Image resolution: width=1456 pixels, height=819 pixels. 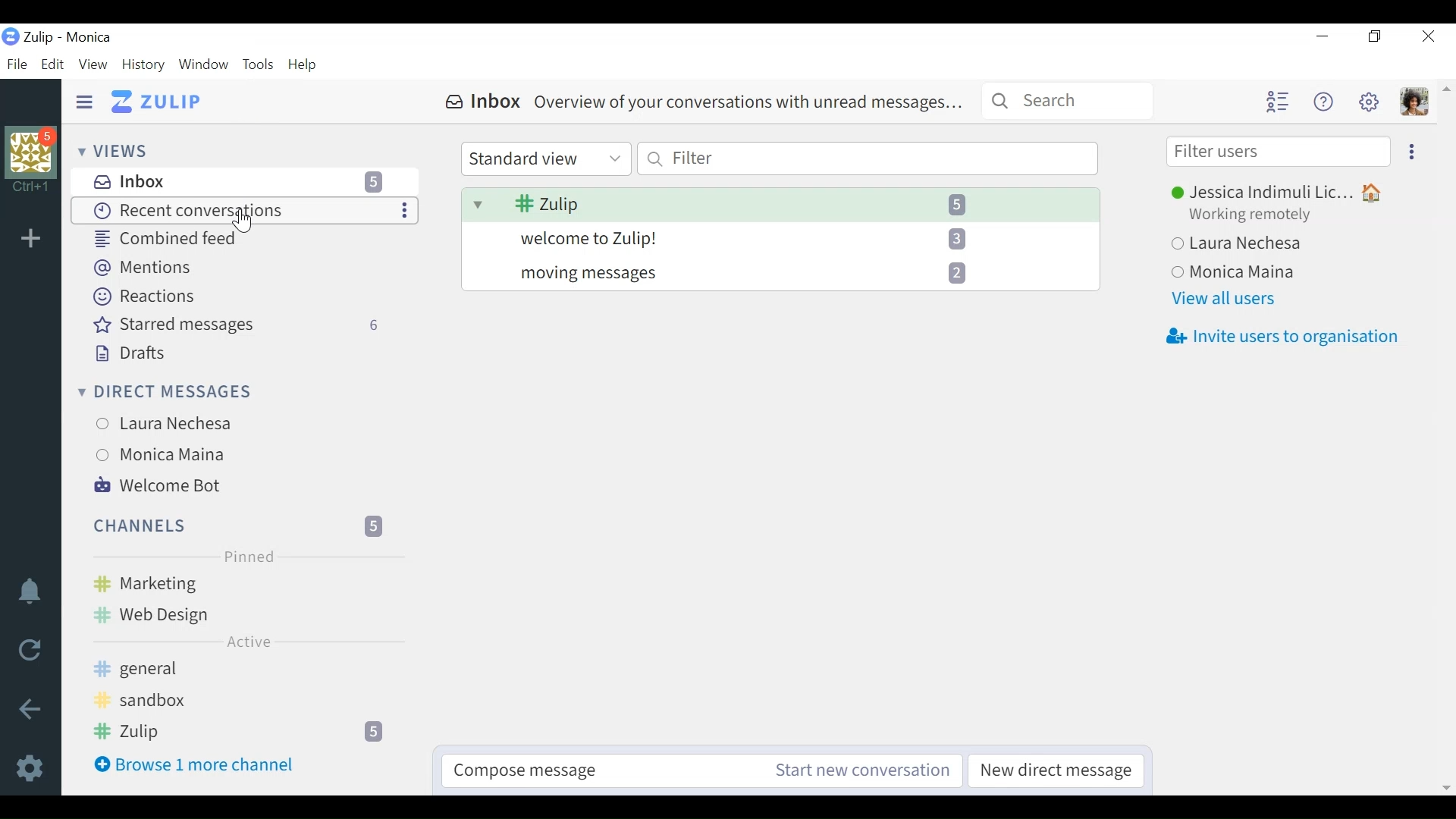 What do you see at coordinates (33, 711) in the screenshot?
I see `Back` at bounding box center [33, 711].